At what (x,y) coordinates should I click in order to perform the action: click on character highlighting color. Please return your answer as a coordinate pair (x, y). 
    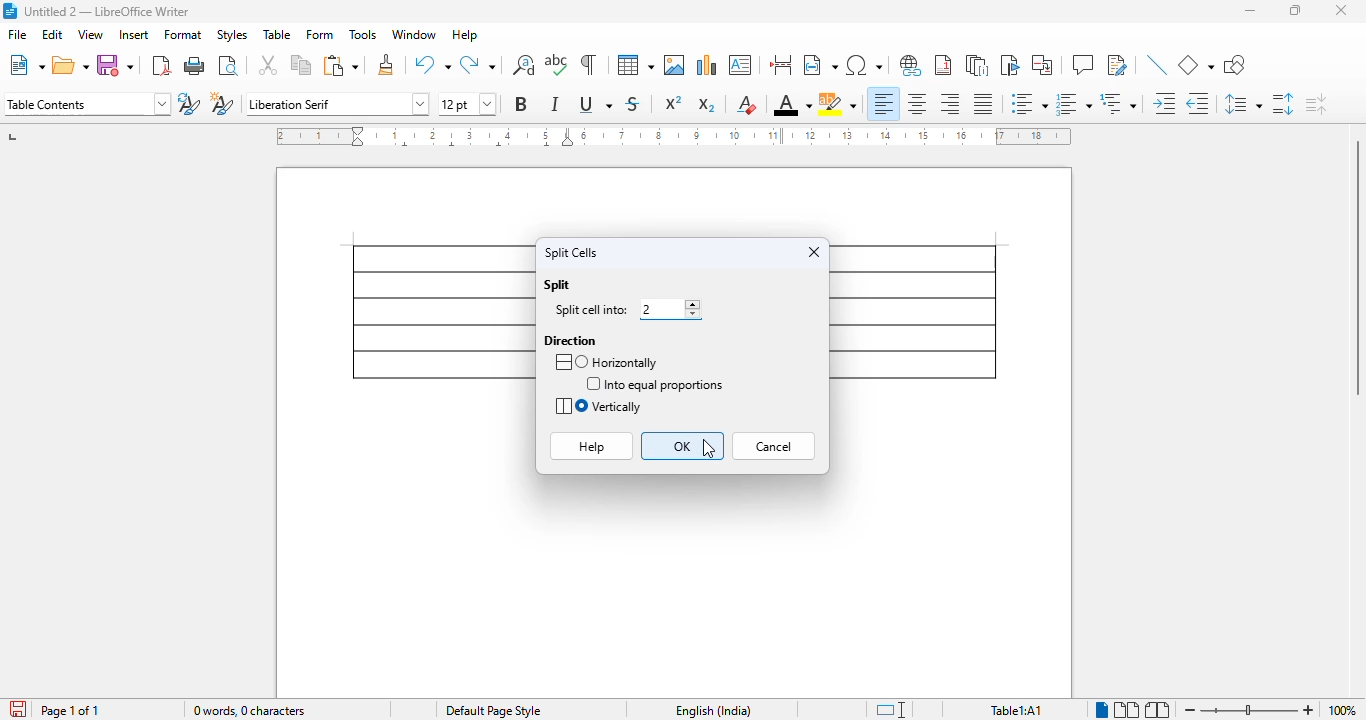
    Looking at the image, I should click on (838, 104).